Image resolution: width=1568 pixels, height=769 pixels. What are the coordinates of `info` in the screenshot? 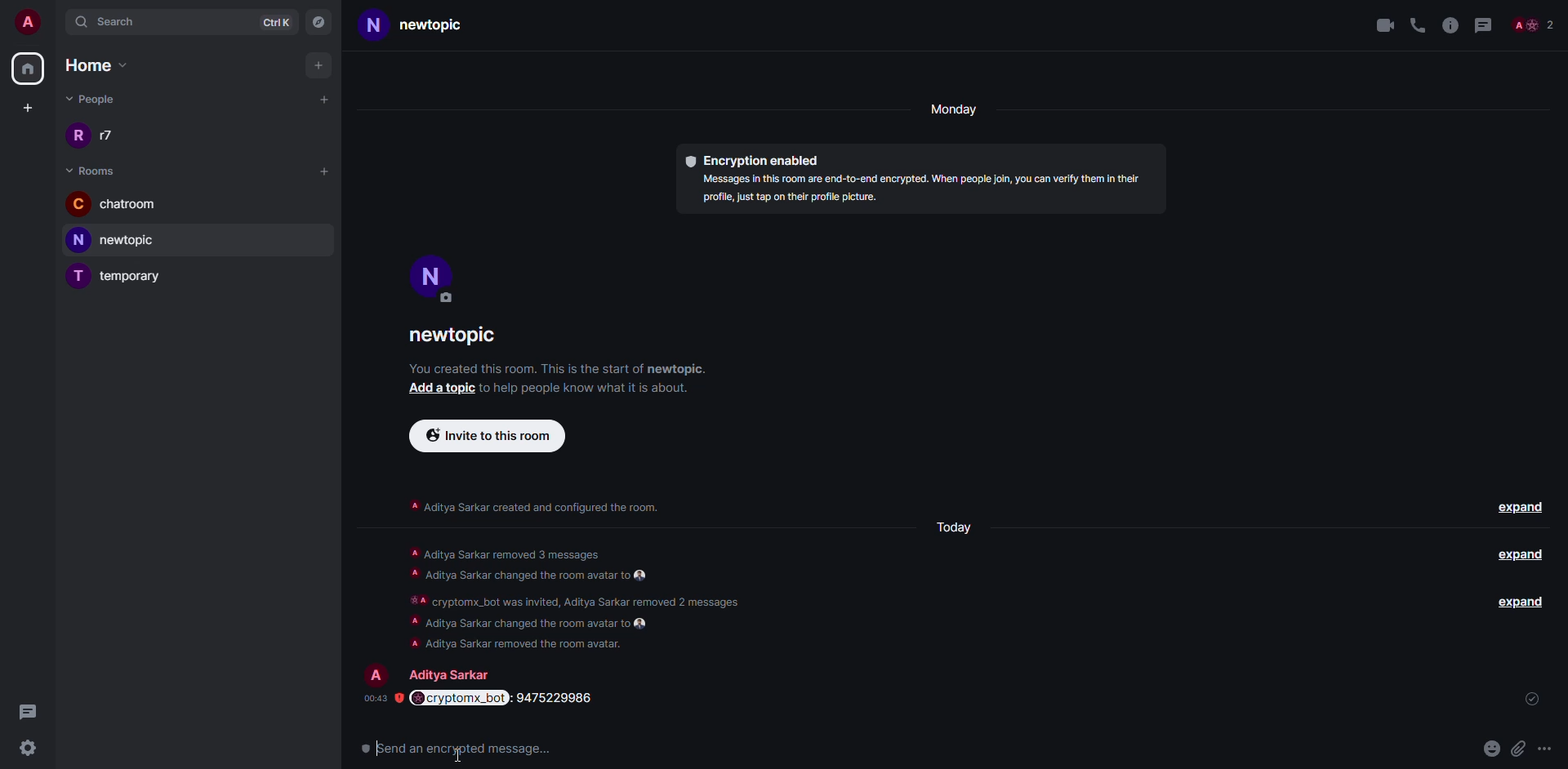 It's located at (1450, 23).